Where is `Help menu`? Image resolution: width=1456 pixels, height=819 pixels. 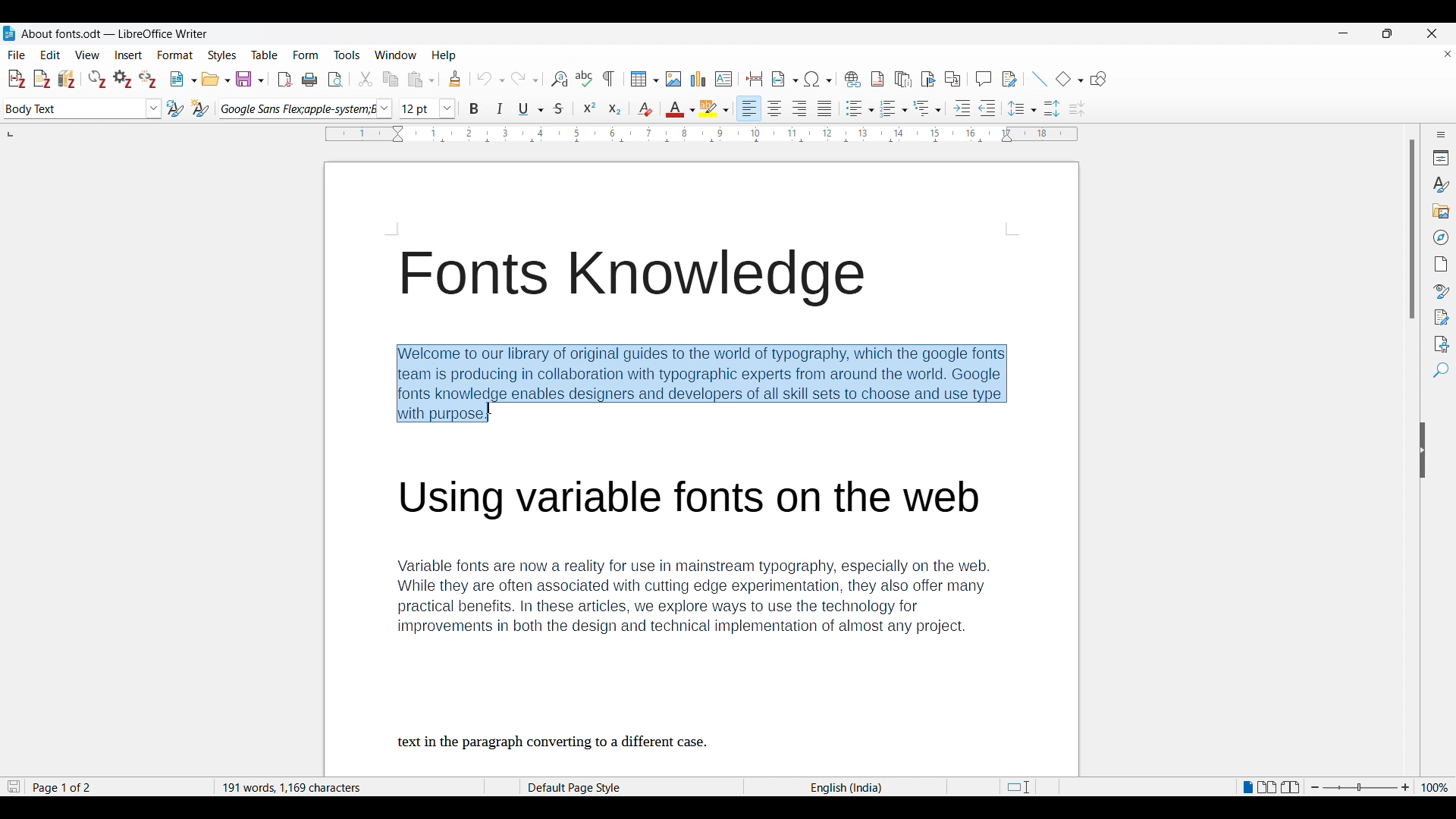
Help menu is located at coordinates (444, 56).